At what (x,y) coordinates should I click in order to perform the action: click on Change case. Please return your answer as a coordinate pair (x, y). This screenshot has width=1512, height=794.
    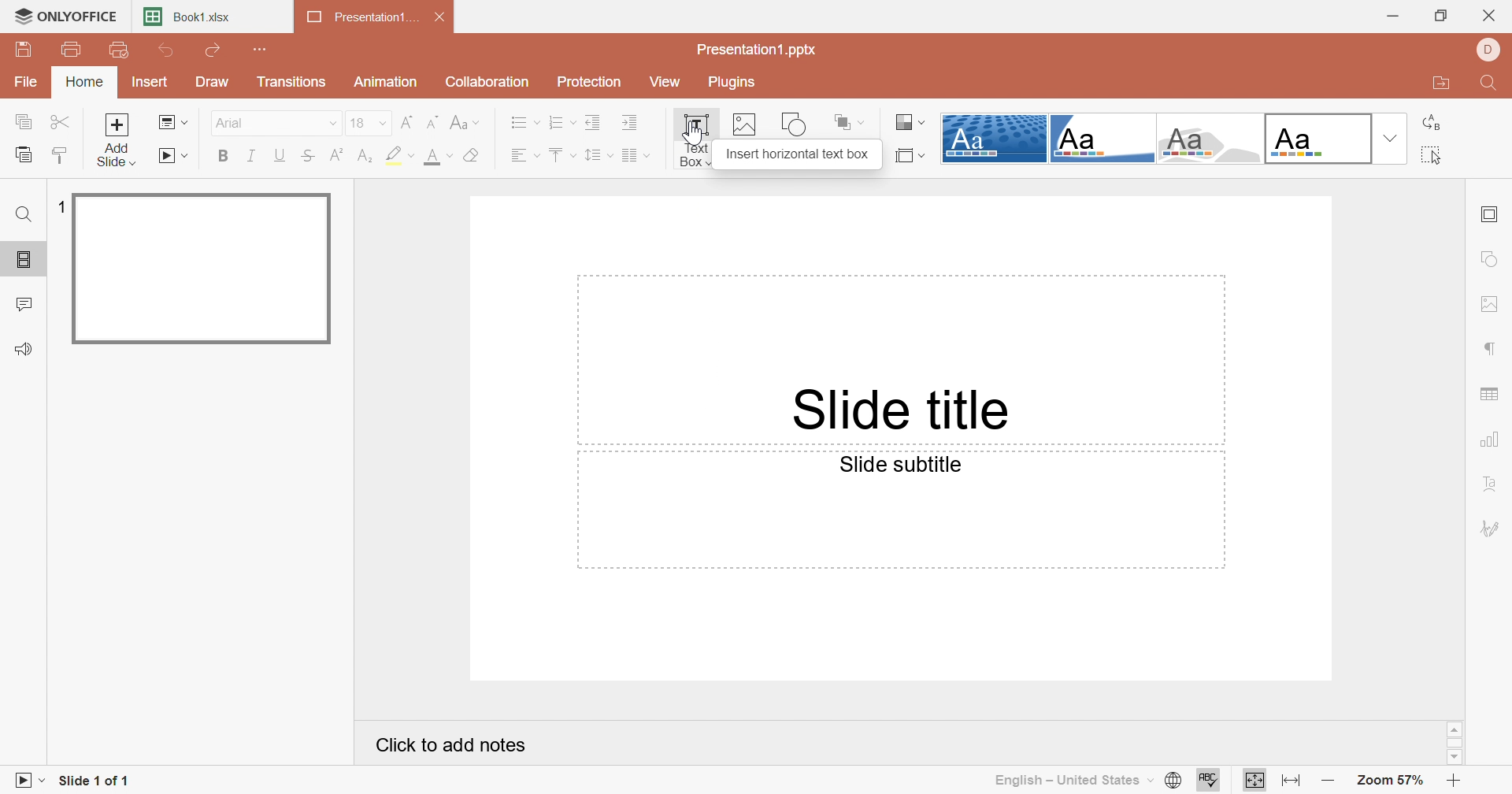
    Looking at the image, I should click on (464, 123).